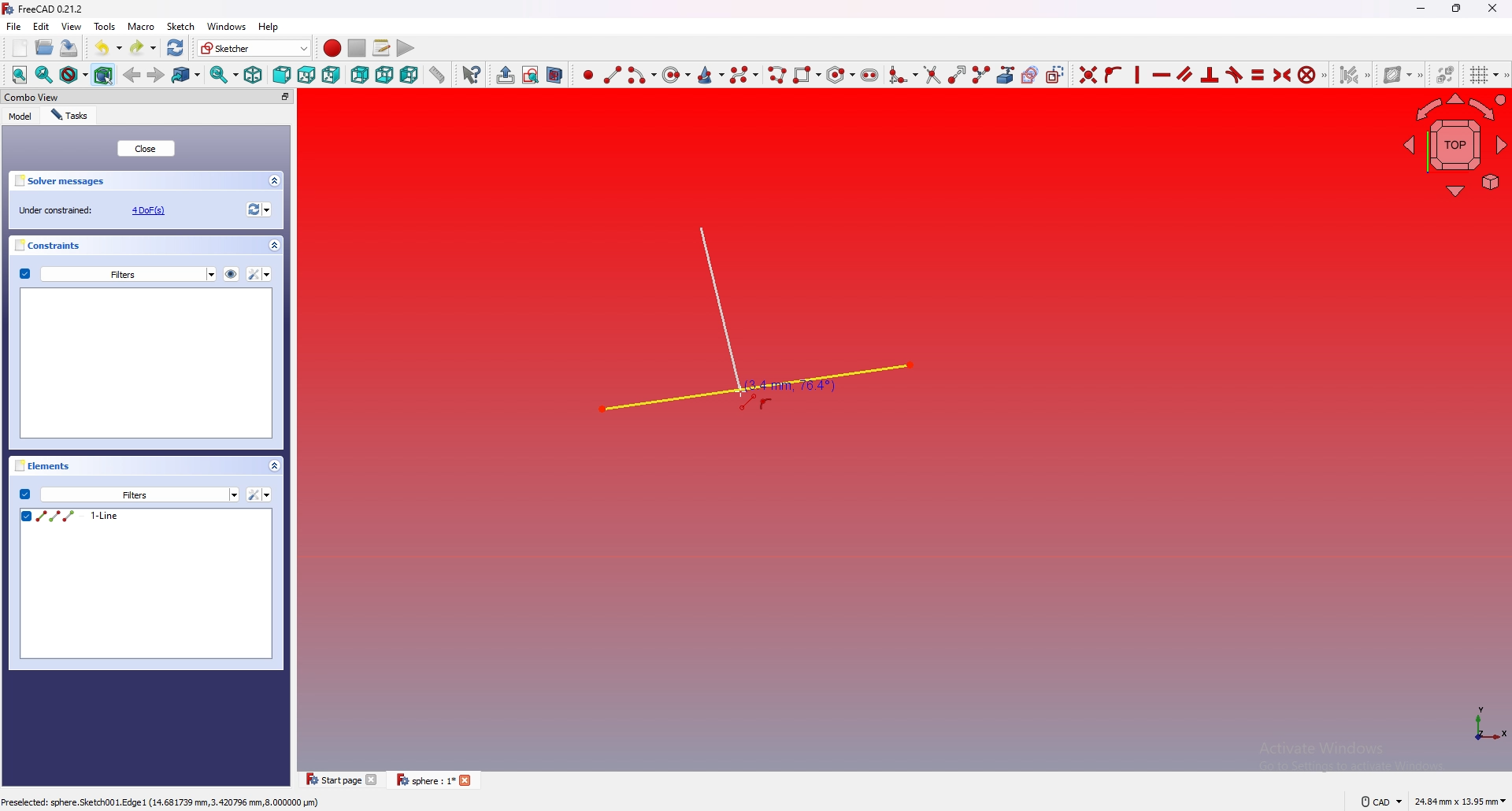  Describe the element at coordinates (502, 74) in the screenshot. I see `Leave sketch` at that location.